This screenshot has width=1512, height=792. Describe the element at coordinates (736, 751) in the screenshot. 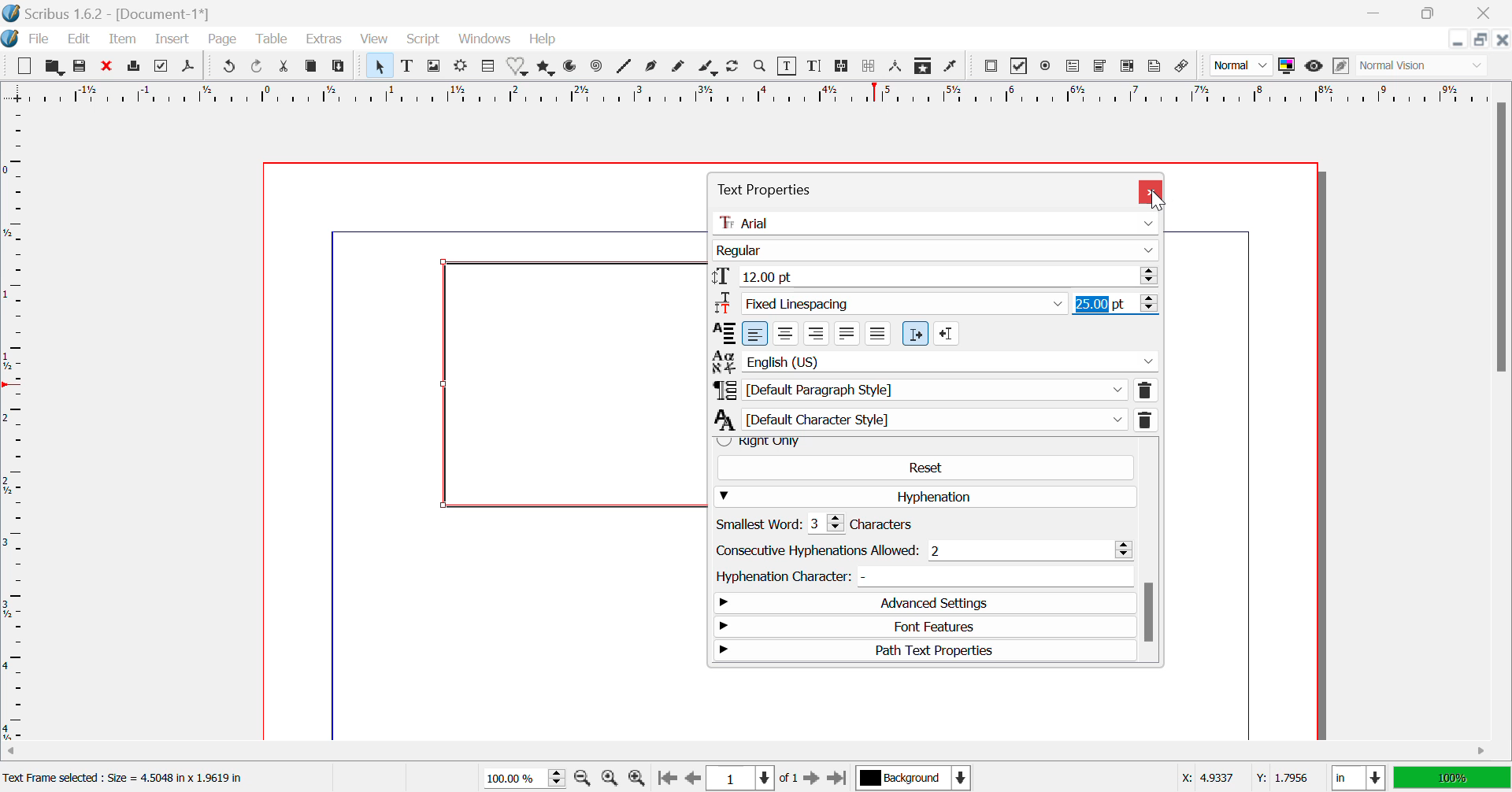

I see `Horizontal Scroll Bar` at that location.